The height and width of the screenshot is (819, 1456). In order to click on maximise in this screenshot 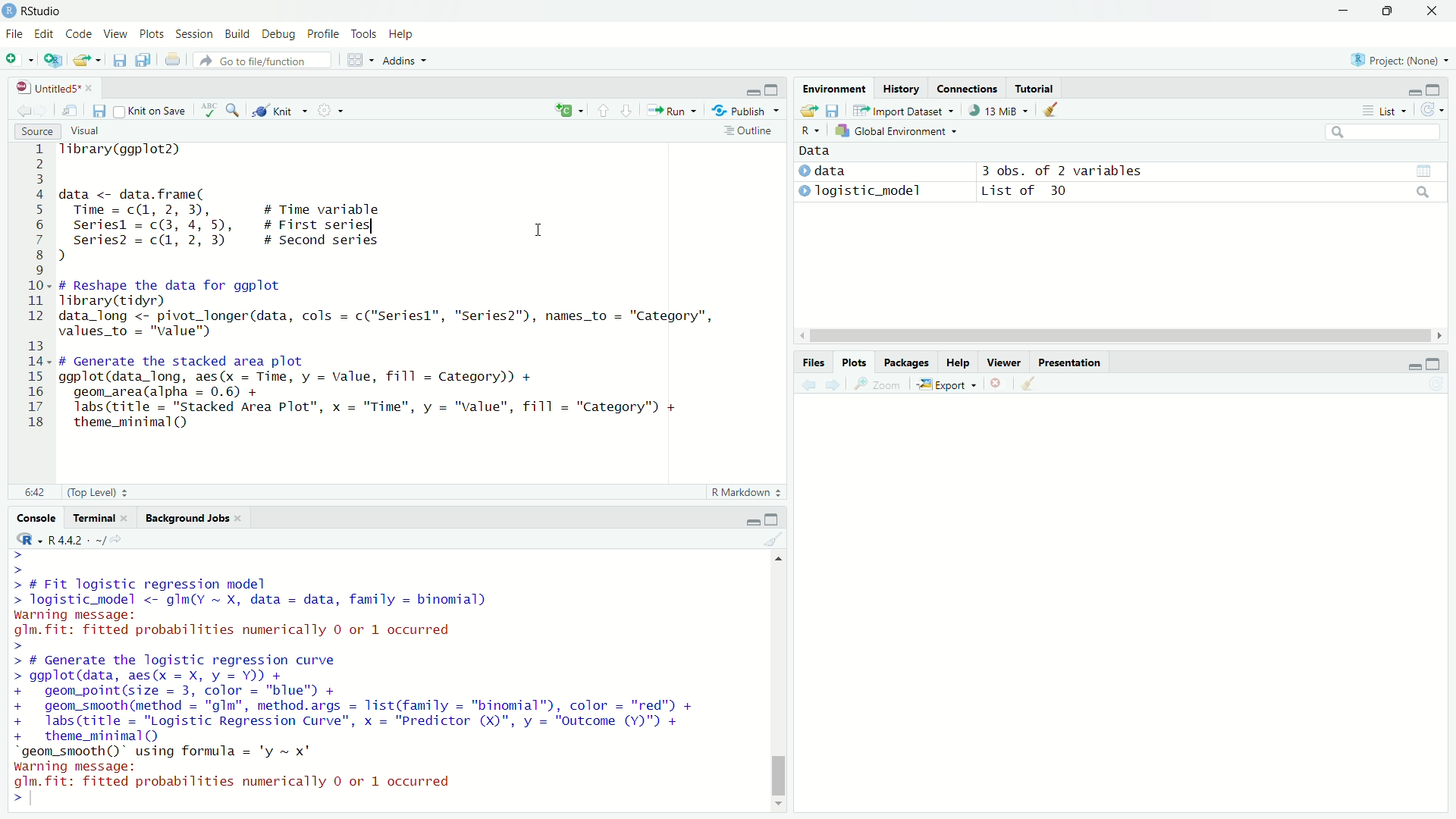, I will do `click(1434, 361)`.